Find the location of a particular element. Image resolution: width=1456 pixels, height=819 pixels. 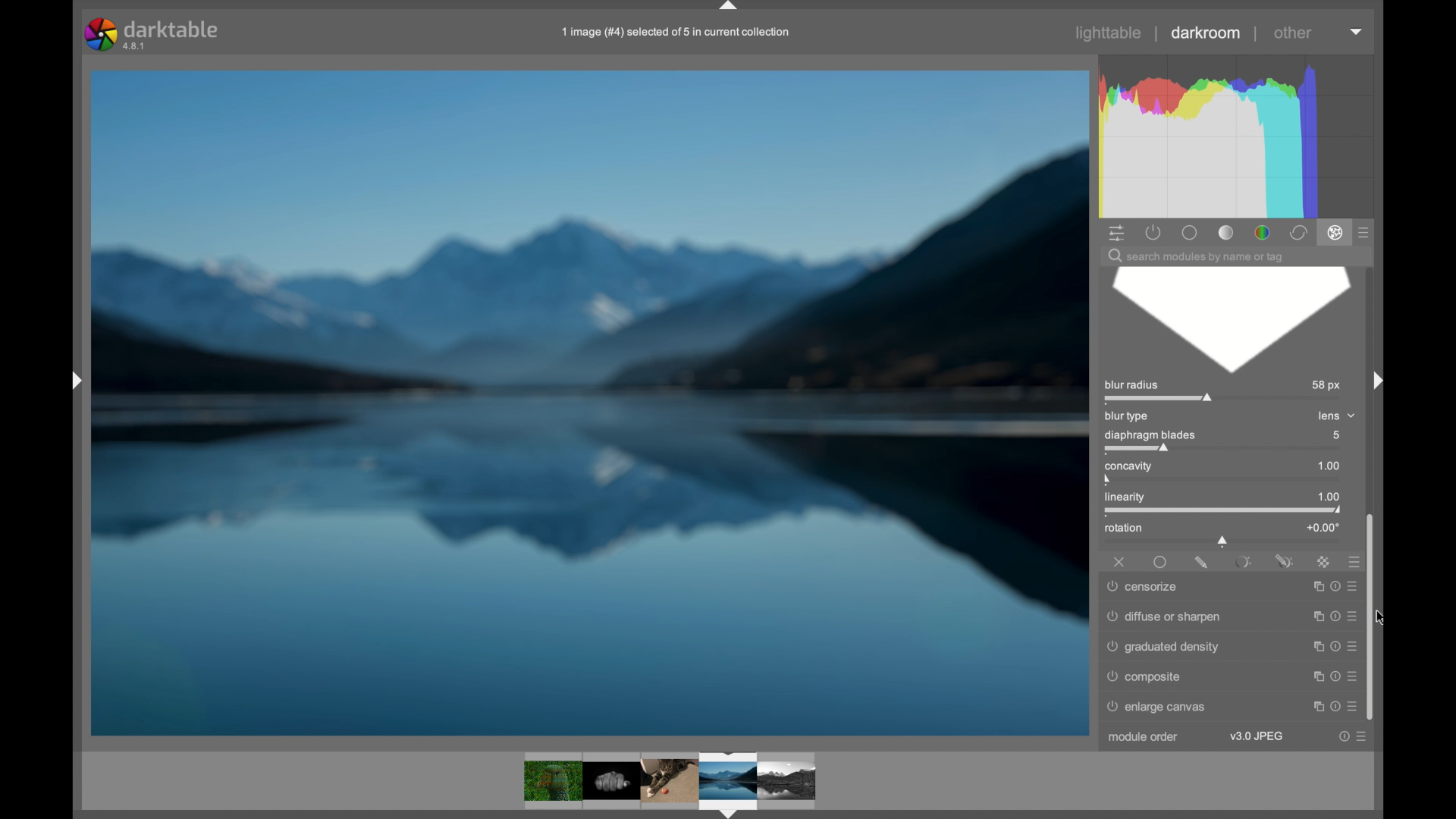

 is located at coordinates (67, 382).